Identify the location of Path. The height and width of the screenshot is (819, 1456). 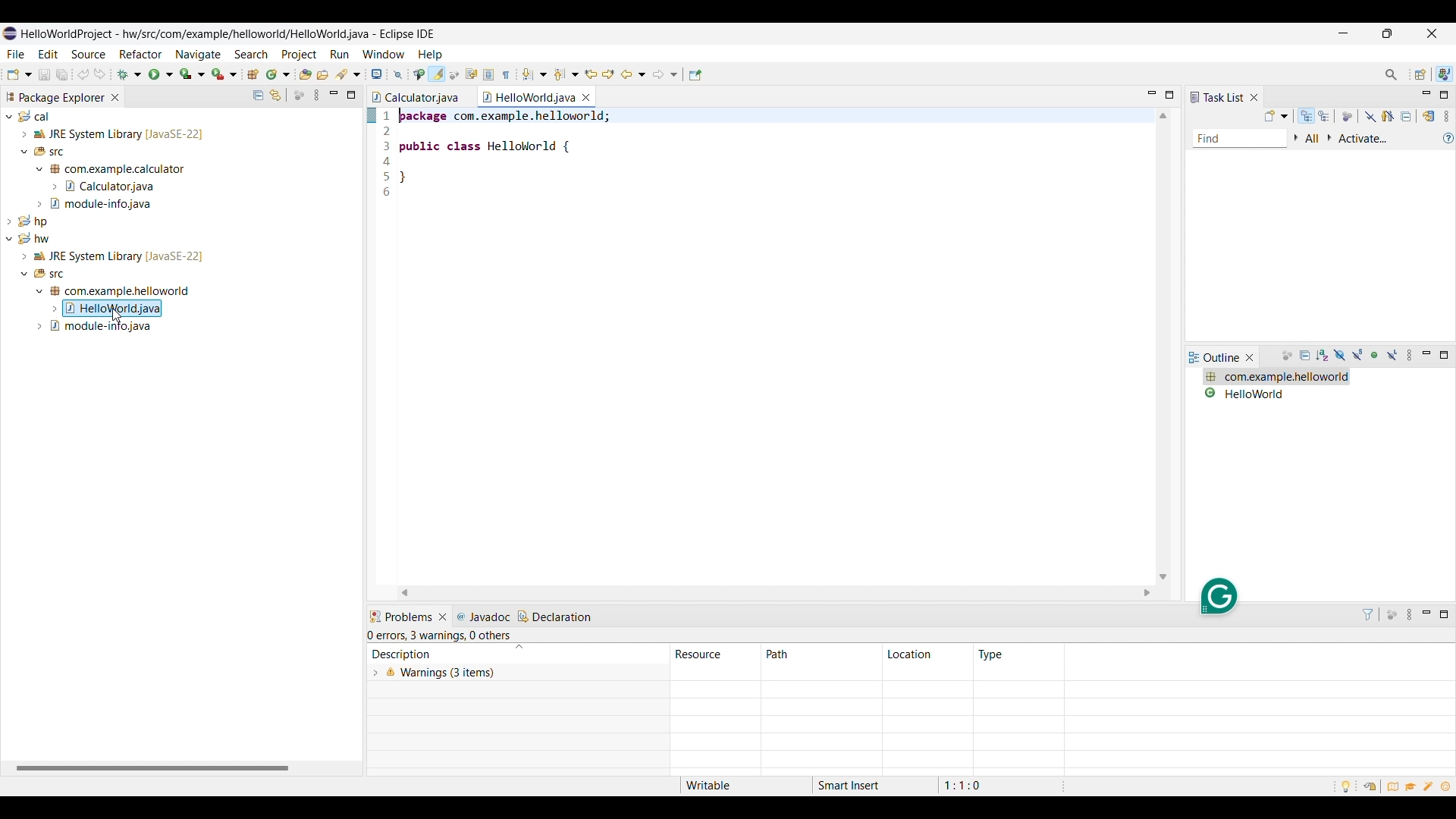
(821, 654).